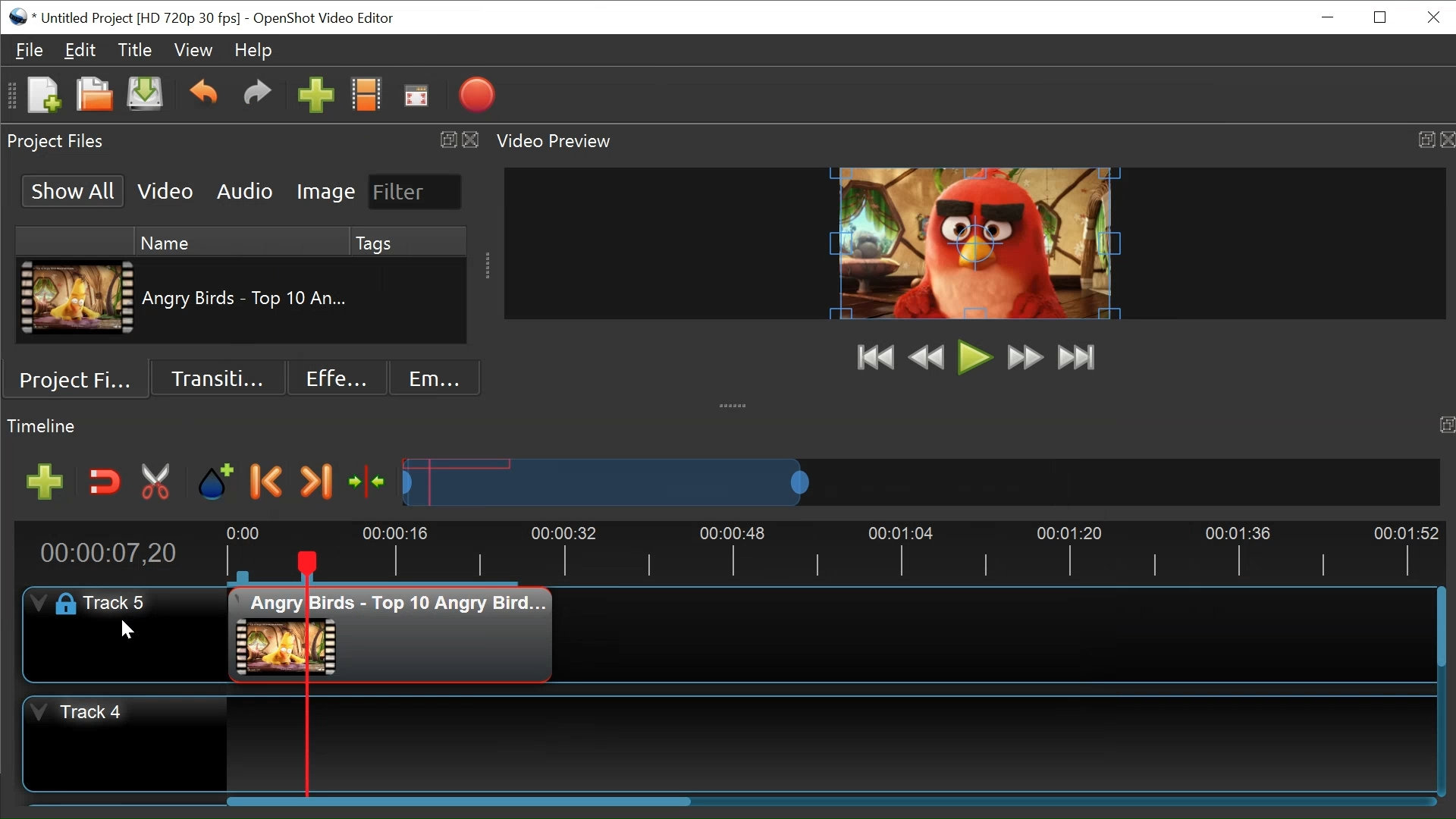 This screenshot has width=1456, height=819. What do you see at coordinates (241, 142) in the screenshot?
I see `Project Files` at bounding box center [241, 142].